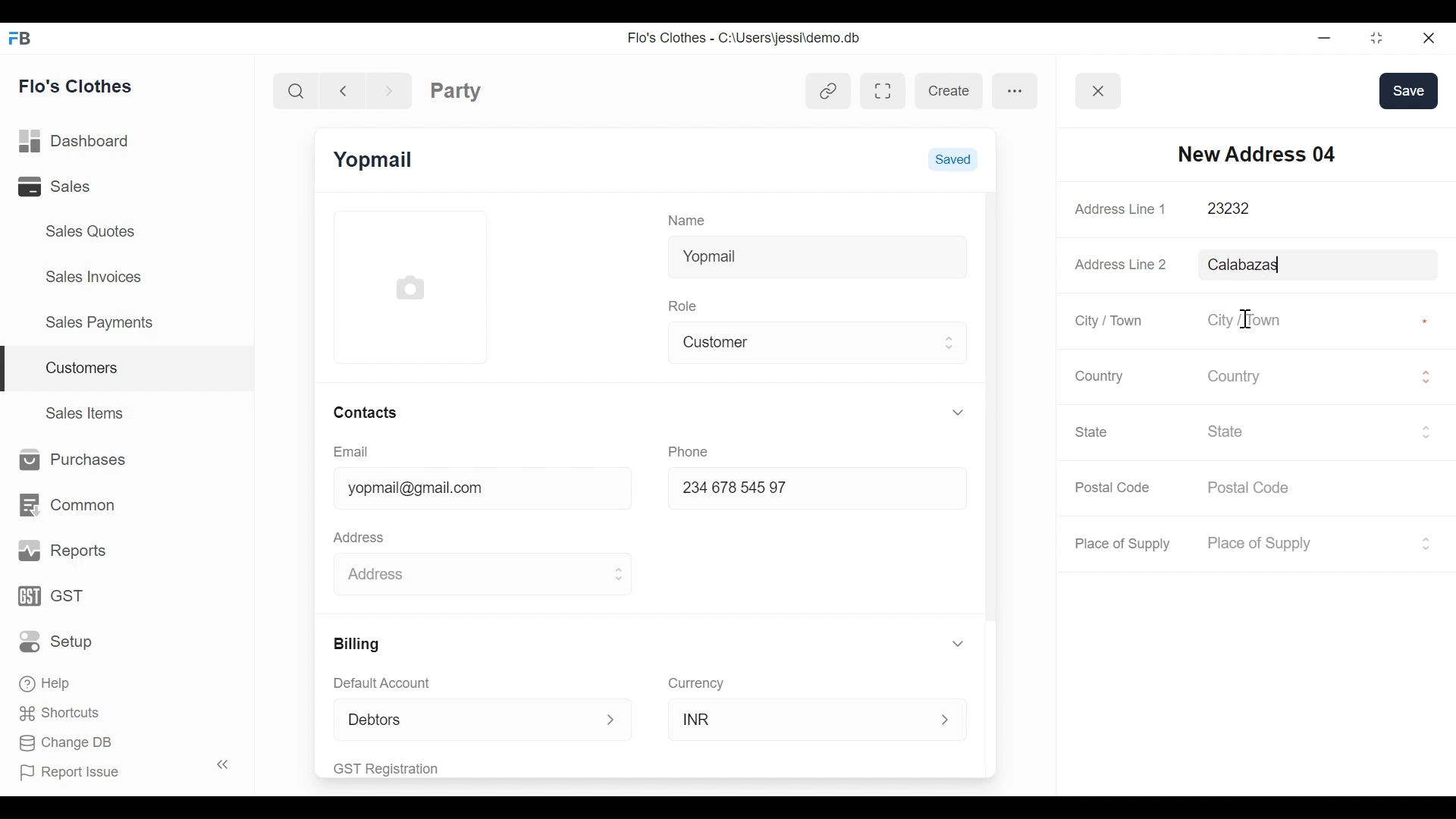 This screenshot has width=1456, height=819. What do you see at coordinates (1015, 89) in the screenshot?
I see `more` at bounding box center [1015, 89].